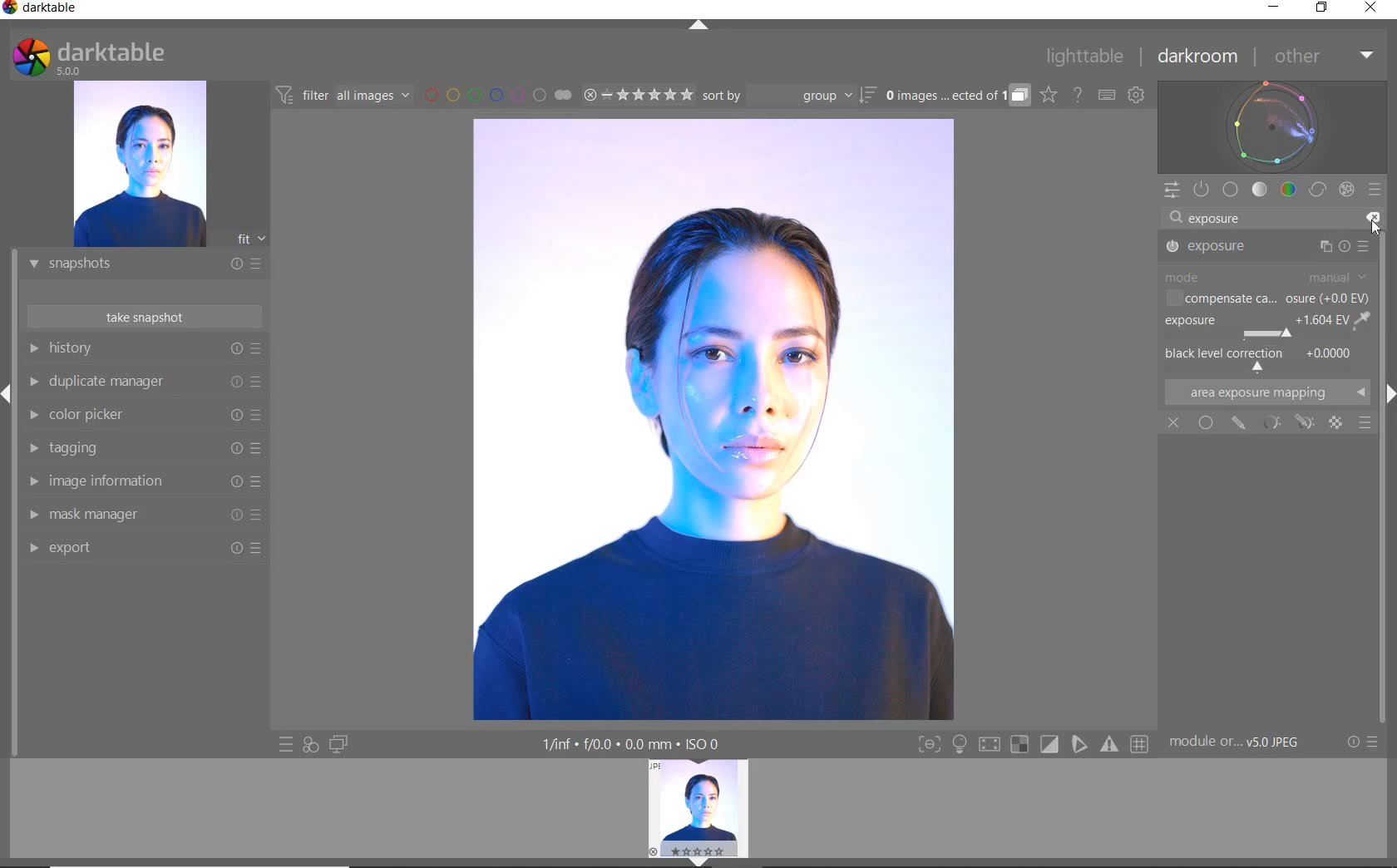 The width and height of the screenshot is (1397, 868). I want to click on Expand/Collapse, so click(1388, 392).